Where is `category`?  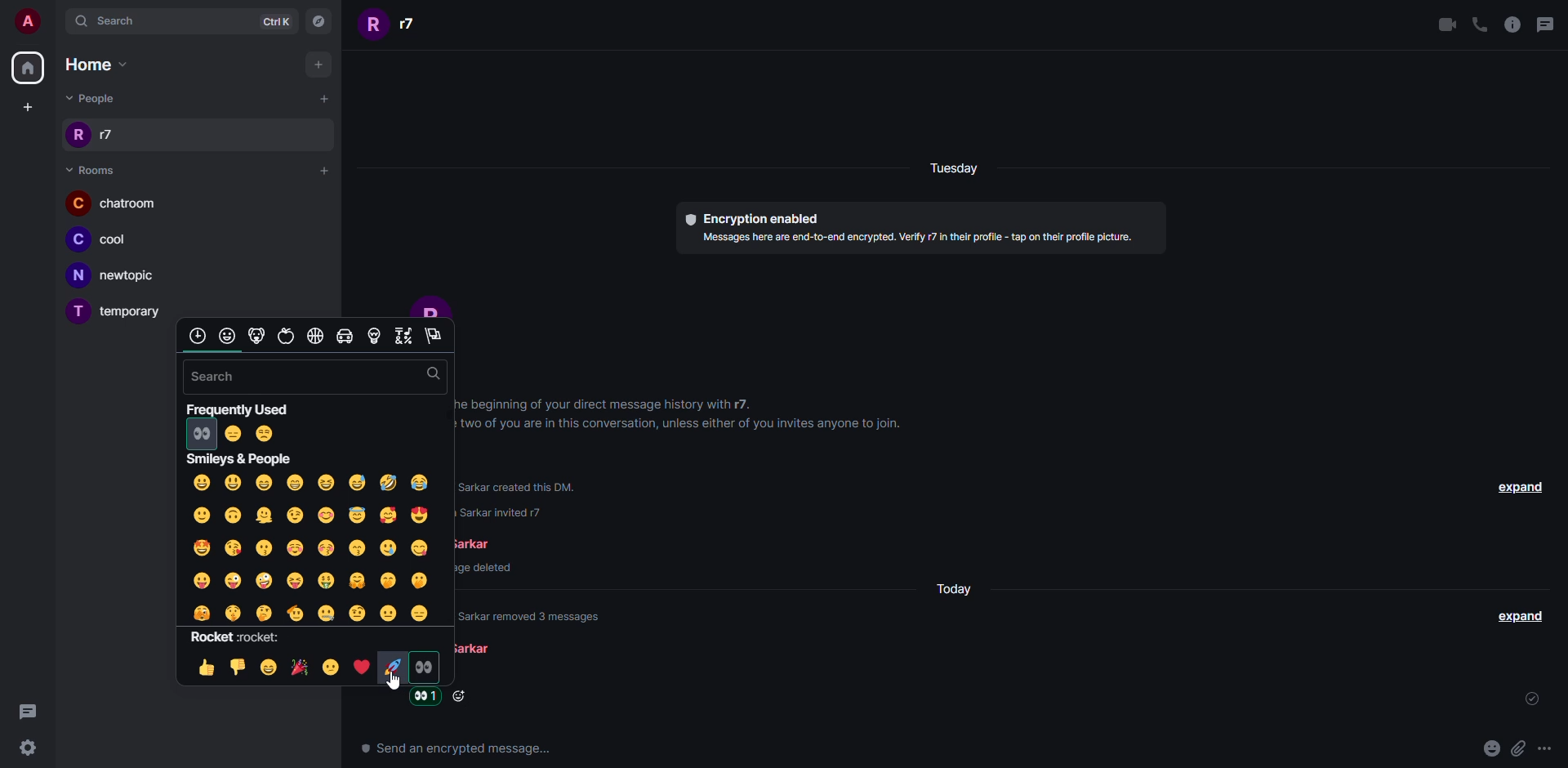 category is located at coordinates (227, 337).